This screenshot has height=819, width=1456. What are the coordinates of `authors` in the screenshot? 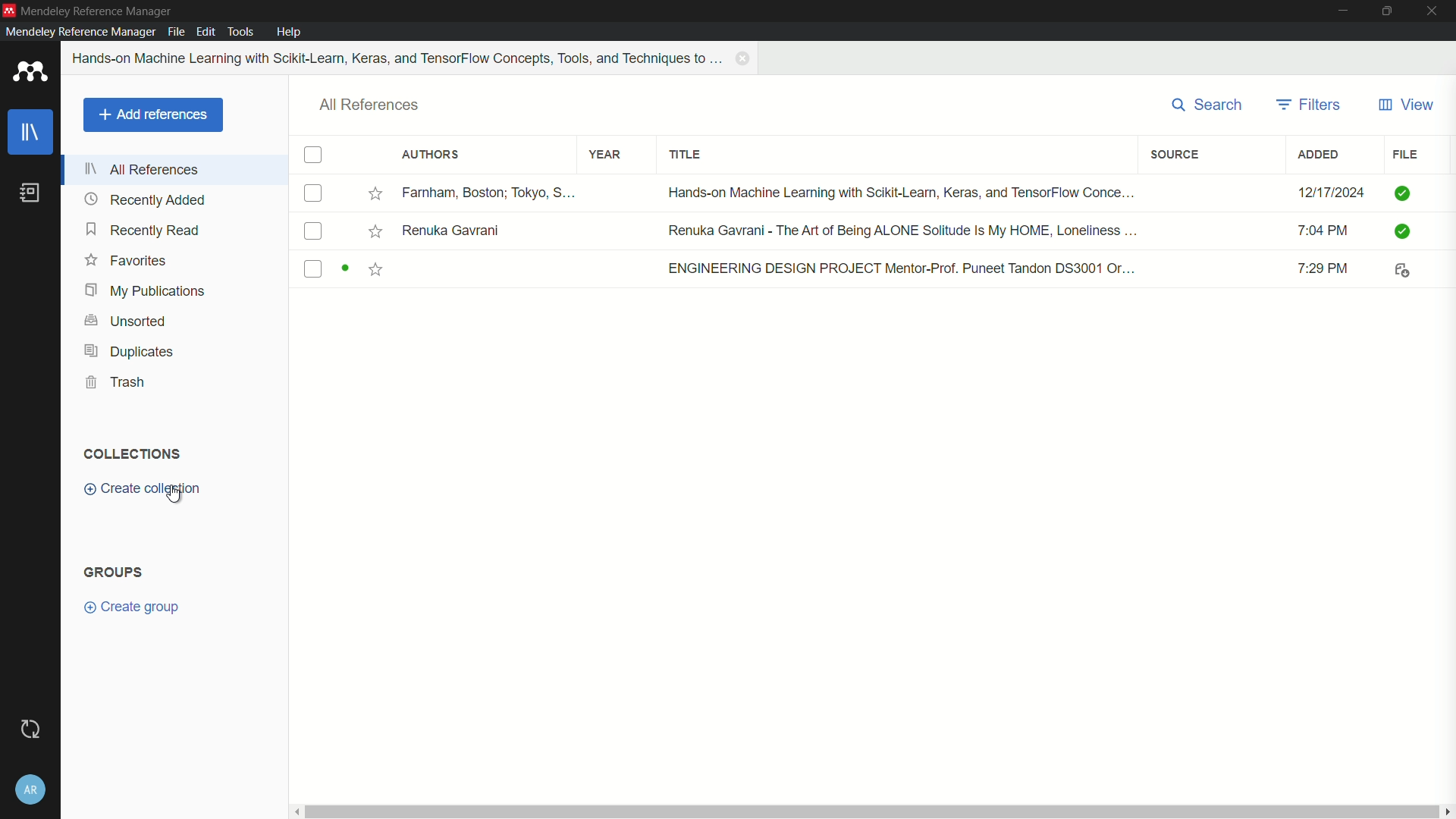 It's located at (429, 155).